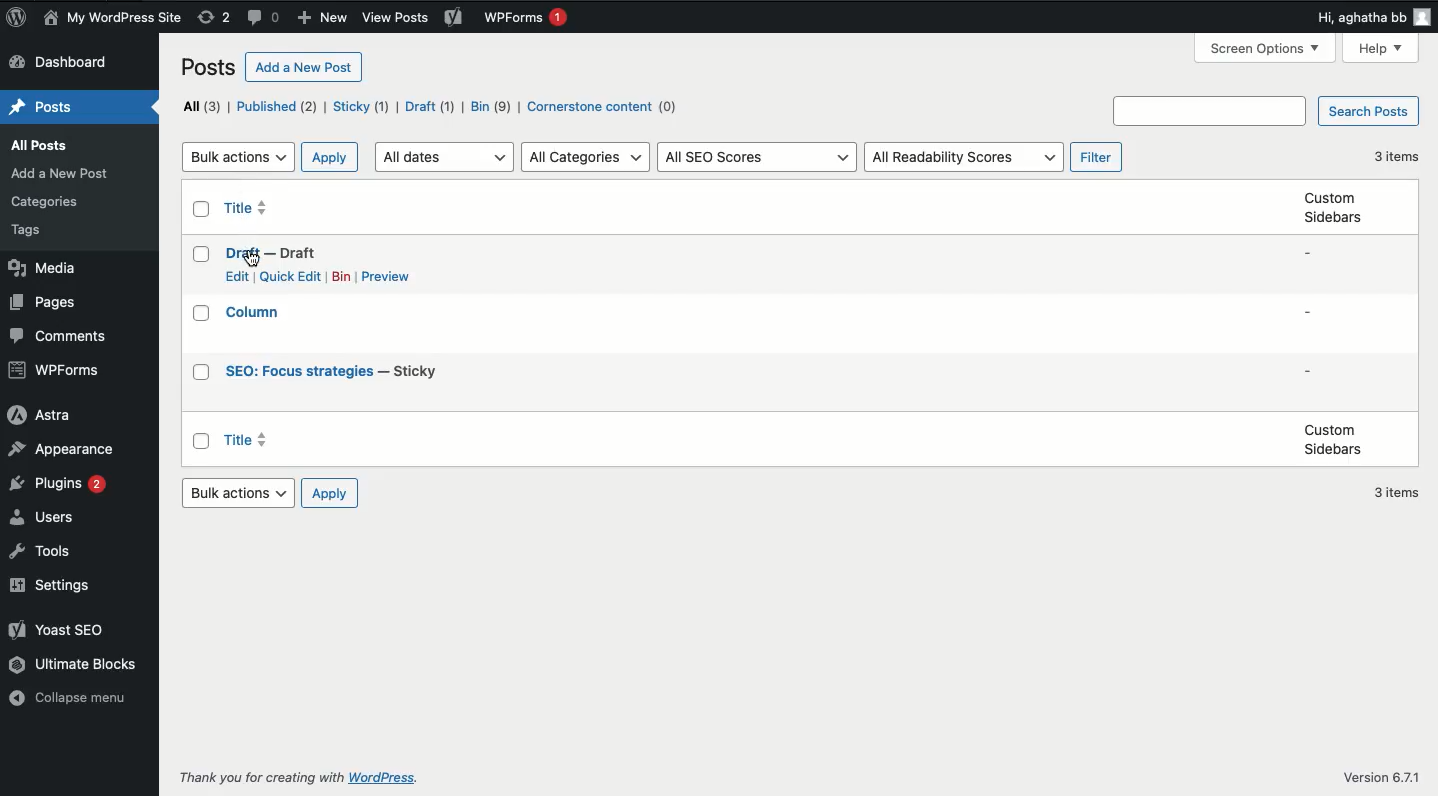 This screenshot has width=1438, height=796. I want to click on Posts, so click(67, 172).